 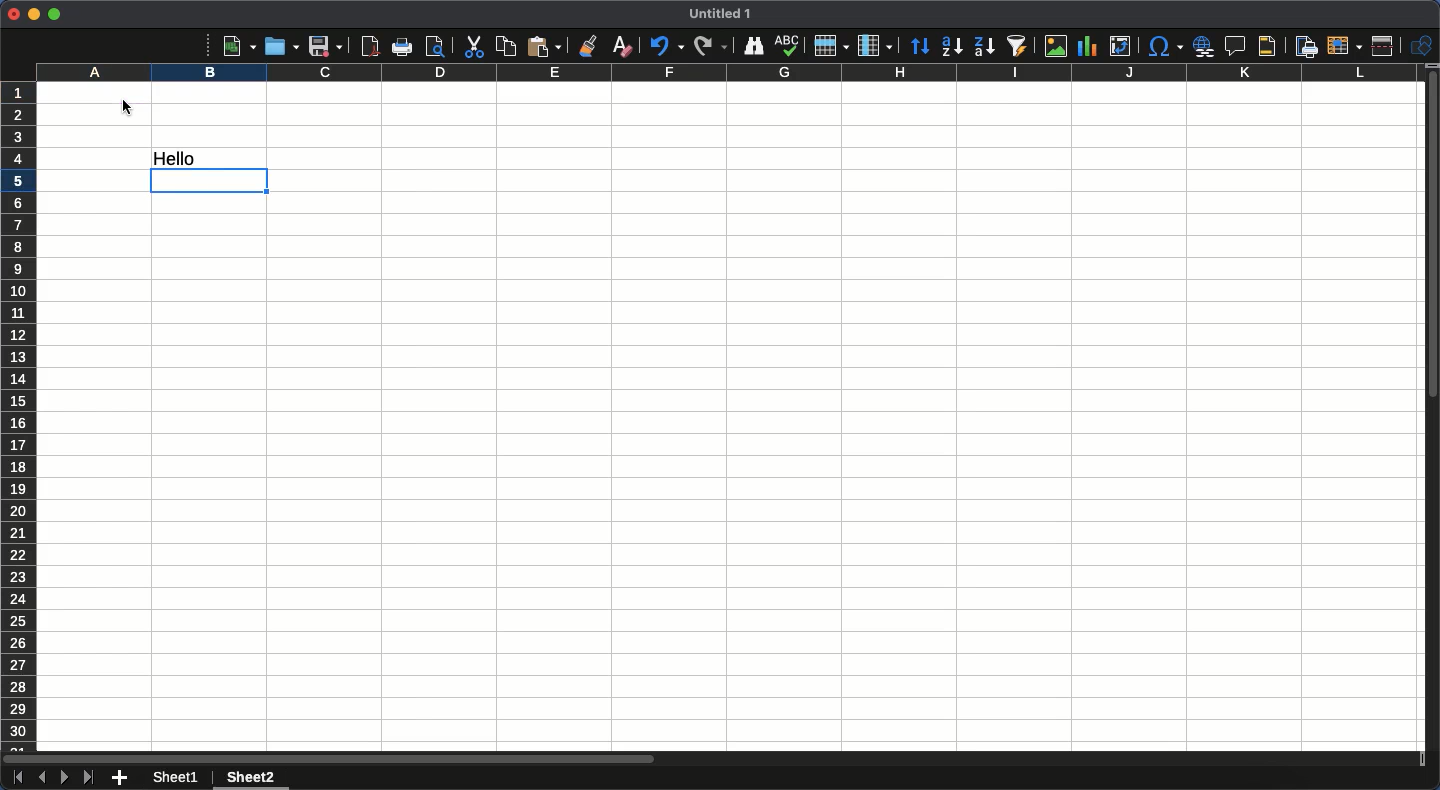 What do you see at coordinates (1205, 46) in the screenshot?
I see `Hyperlink` at bounding box center [1205, 46].